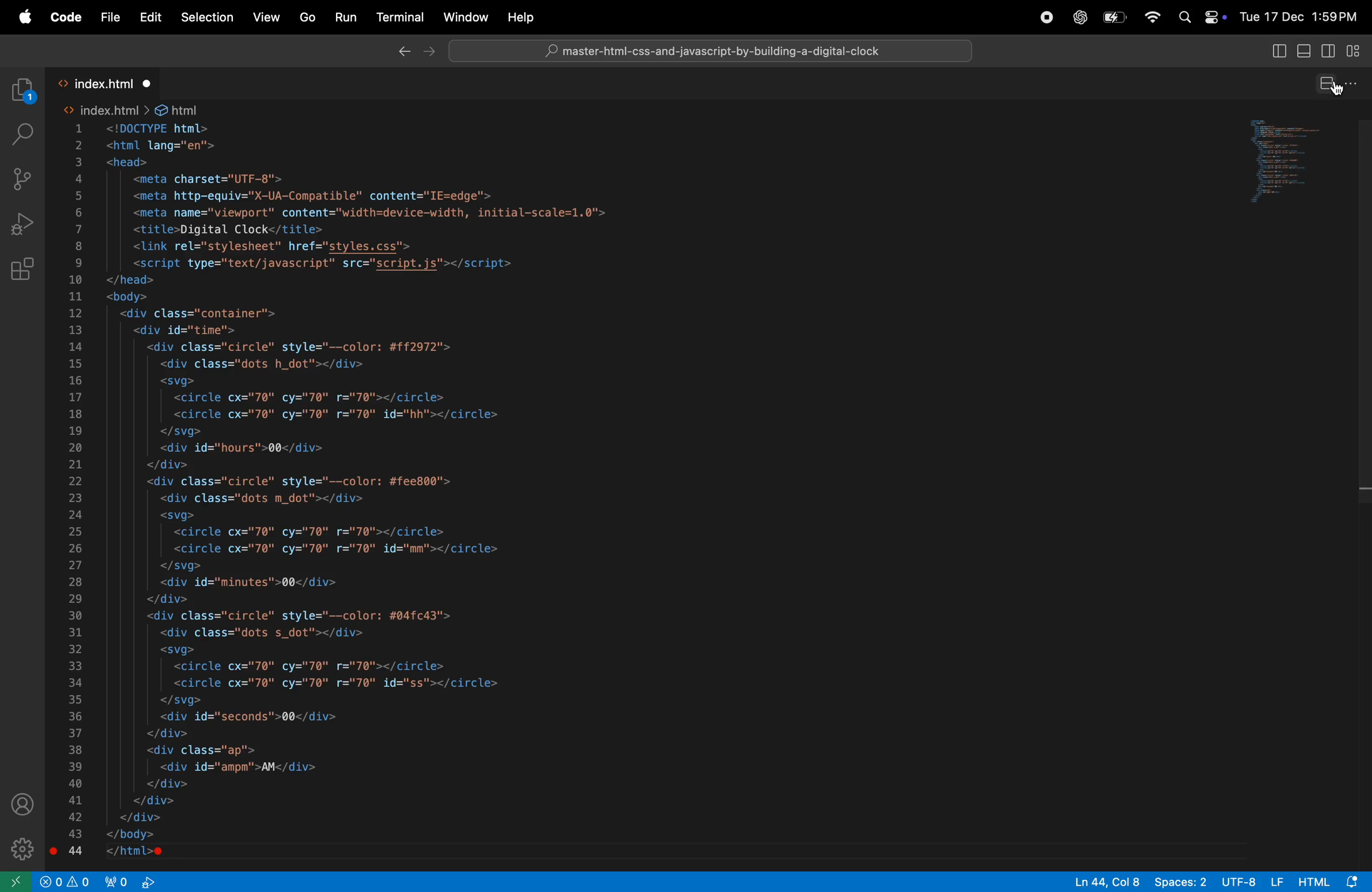 The width and height of the screenshot is (1372, 892). What do you see at coordinates (206, 18) in the screenshot?
I see `selections` at bounding box center [206, 18].